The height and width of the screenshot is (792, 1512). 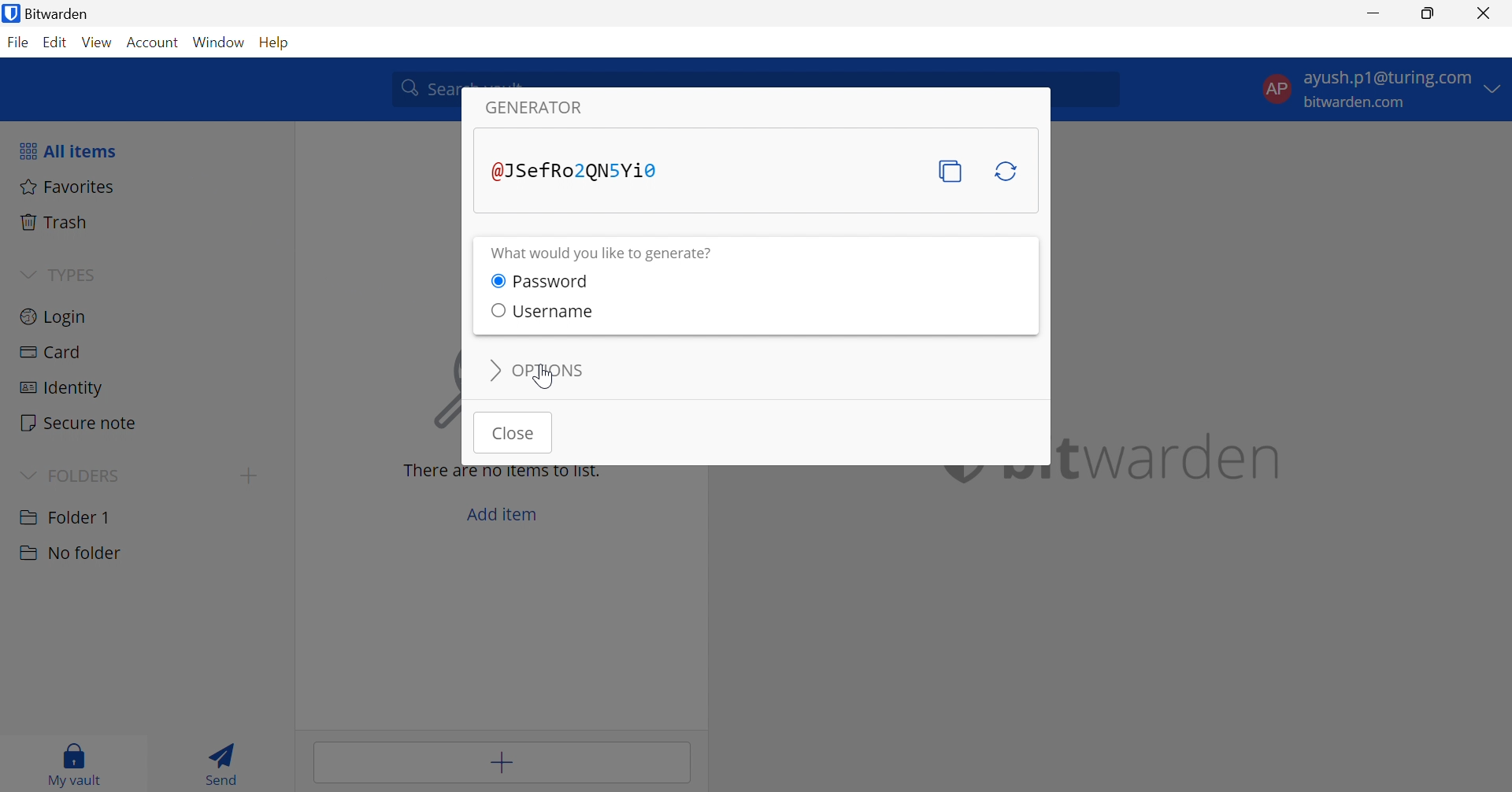 What do you see at coordinates (1009, 173) in the screenshot?
I see `Regenerate password` at bounding box center [1009, 173].